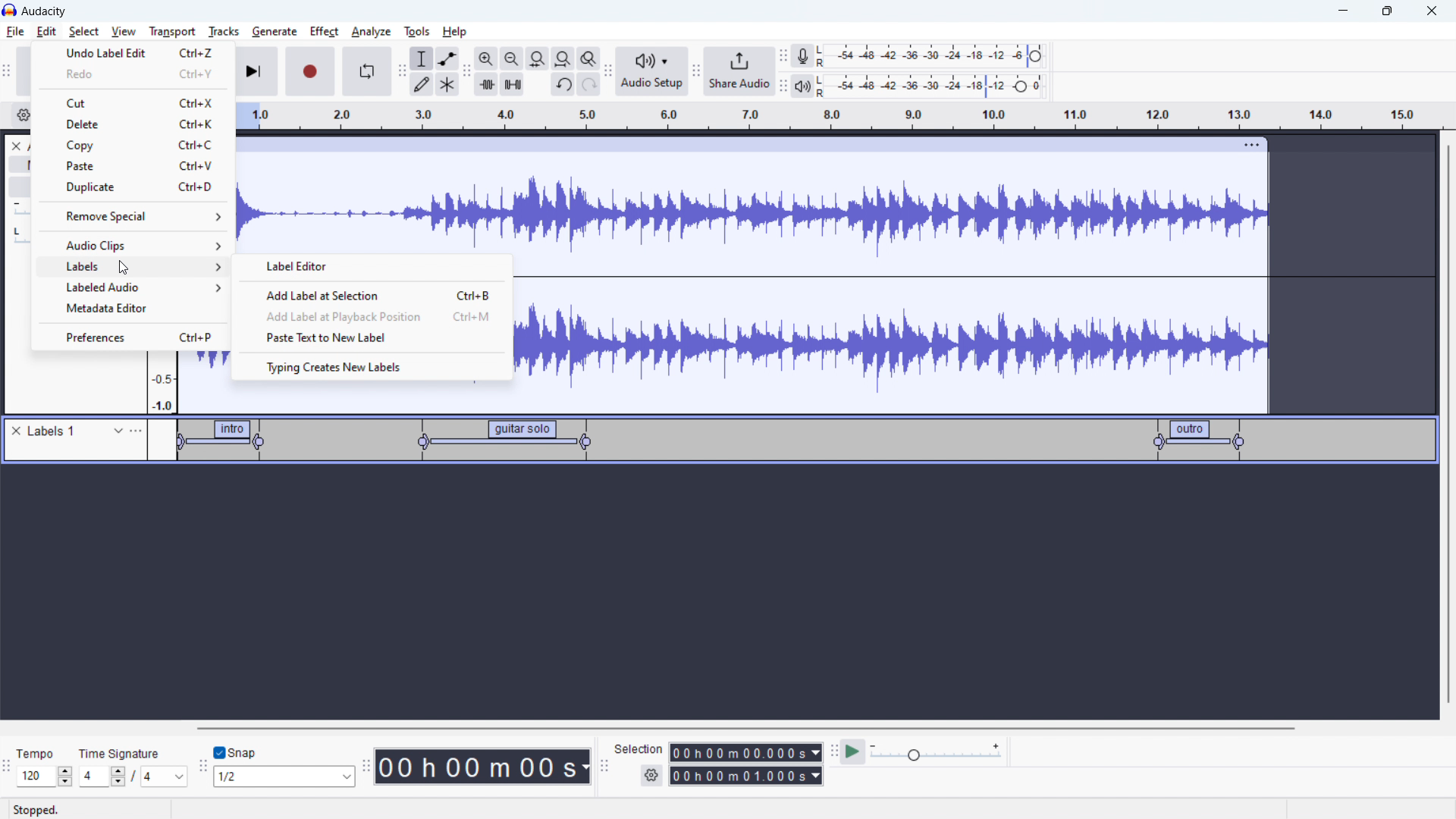  I want to click on , so click(823, 86).